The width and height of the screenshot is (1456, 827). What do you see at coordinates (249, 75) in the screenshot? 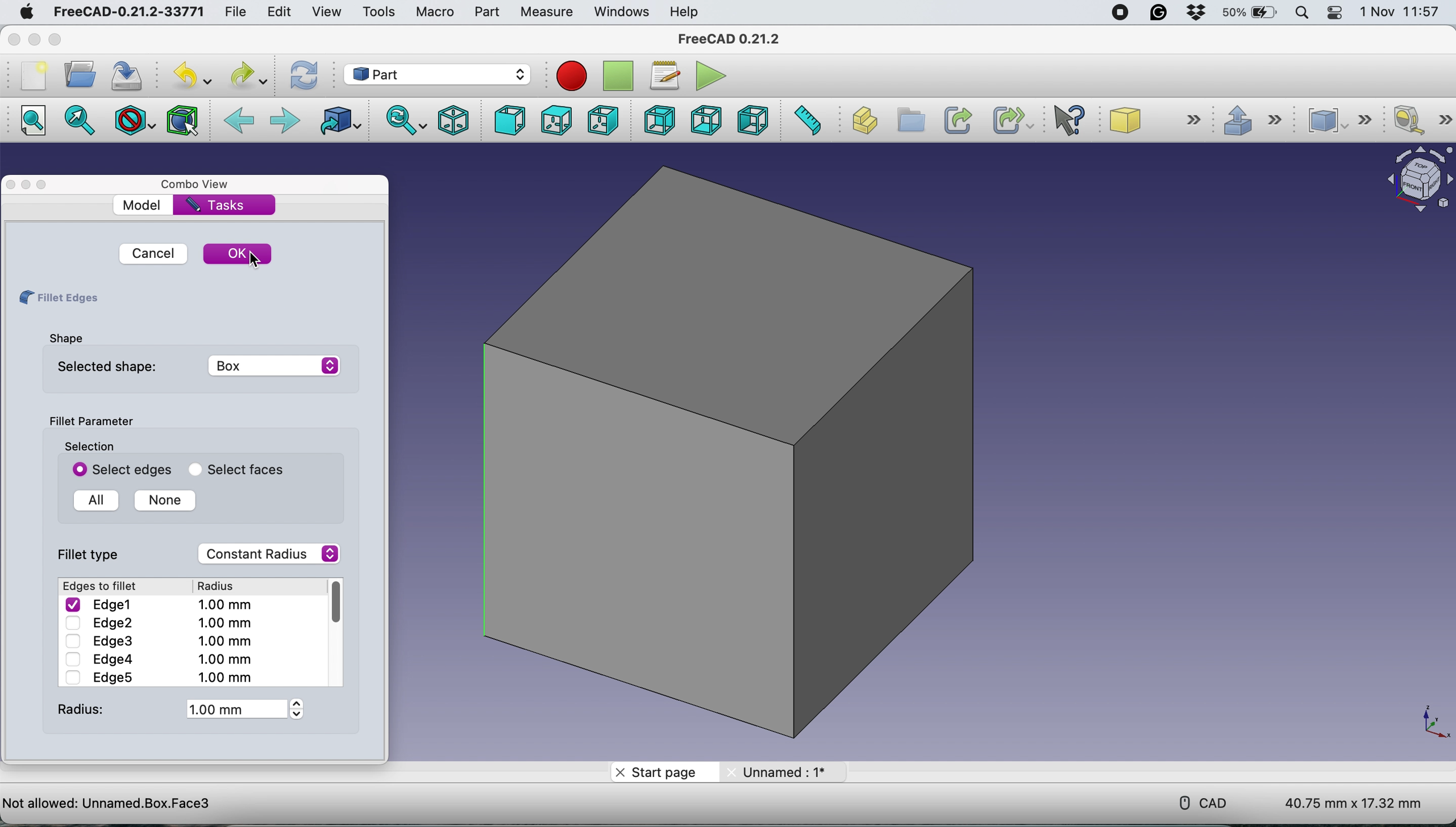
I see `redo` at bounding box center [249, 75].